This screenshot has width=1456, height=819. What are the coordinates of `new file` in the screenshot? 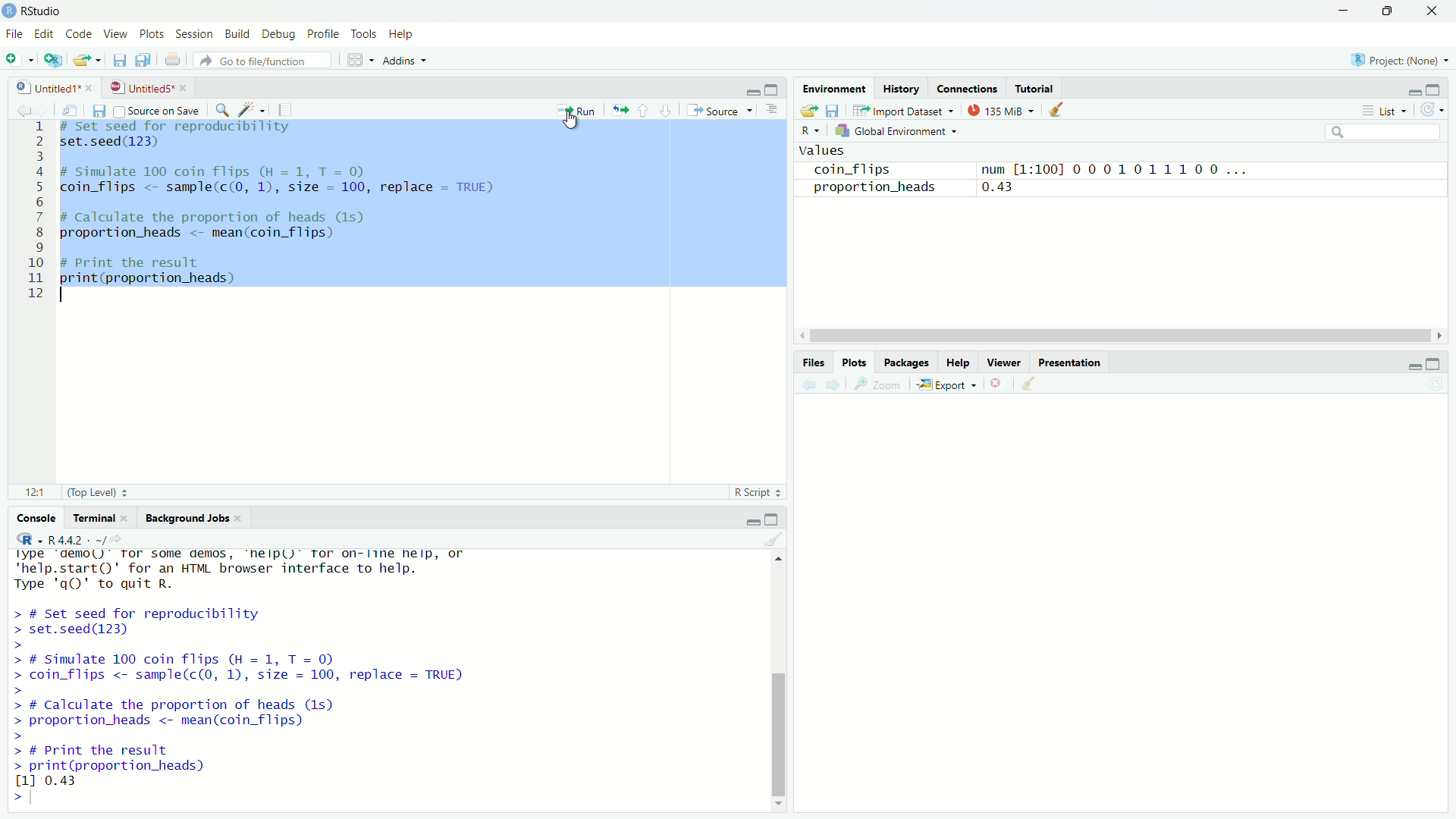 It's located at (18, 59).